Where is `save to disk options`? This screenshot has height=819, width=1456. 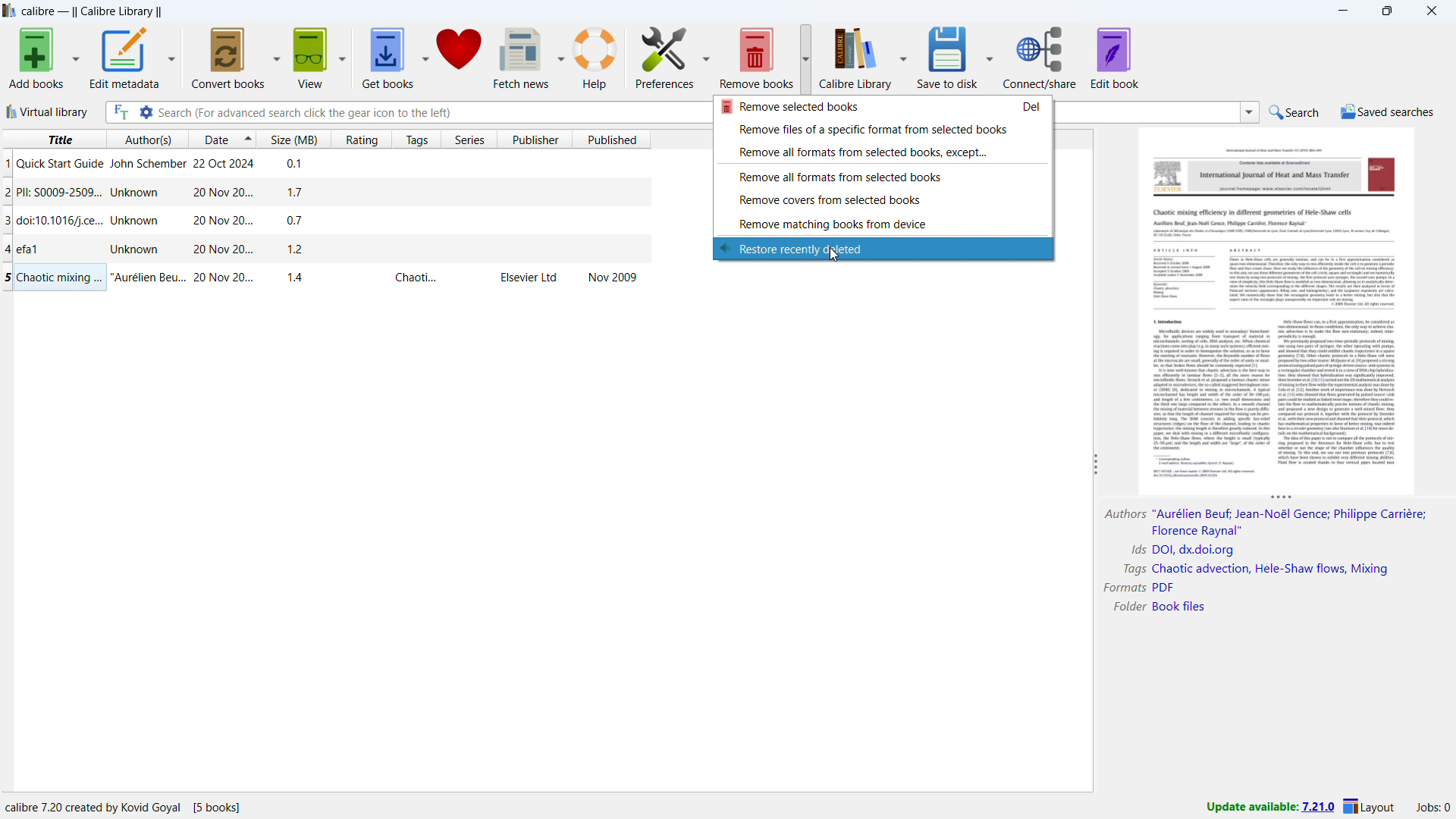
save to disk options is located at coordinates (990, 55).